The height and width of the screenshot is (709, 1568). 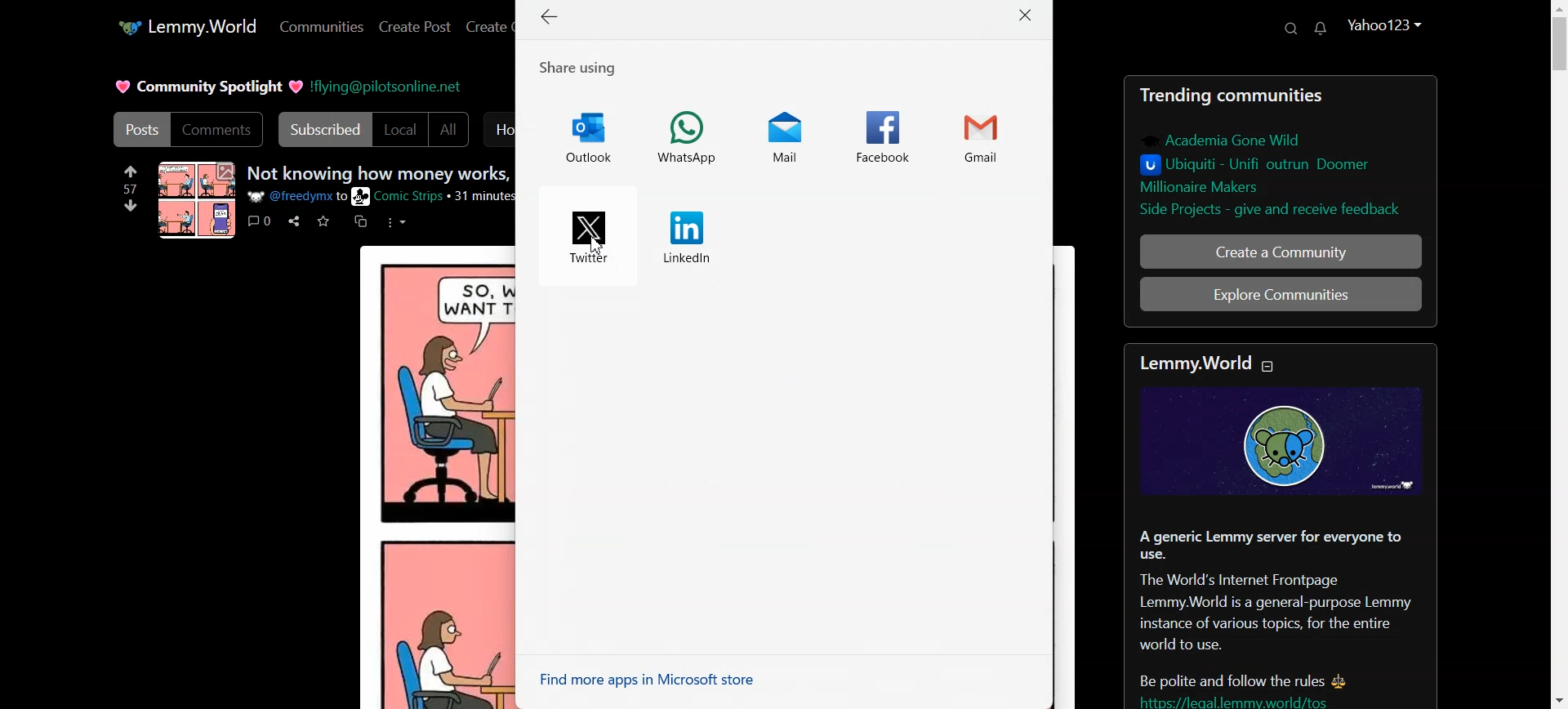 I want to click on Twitter, so click(x=585, y=236).